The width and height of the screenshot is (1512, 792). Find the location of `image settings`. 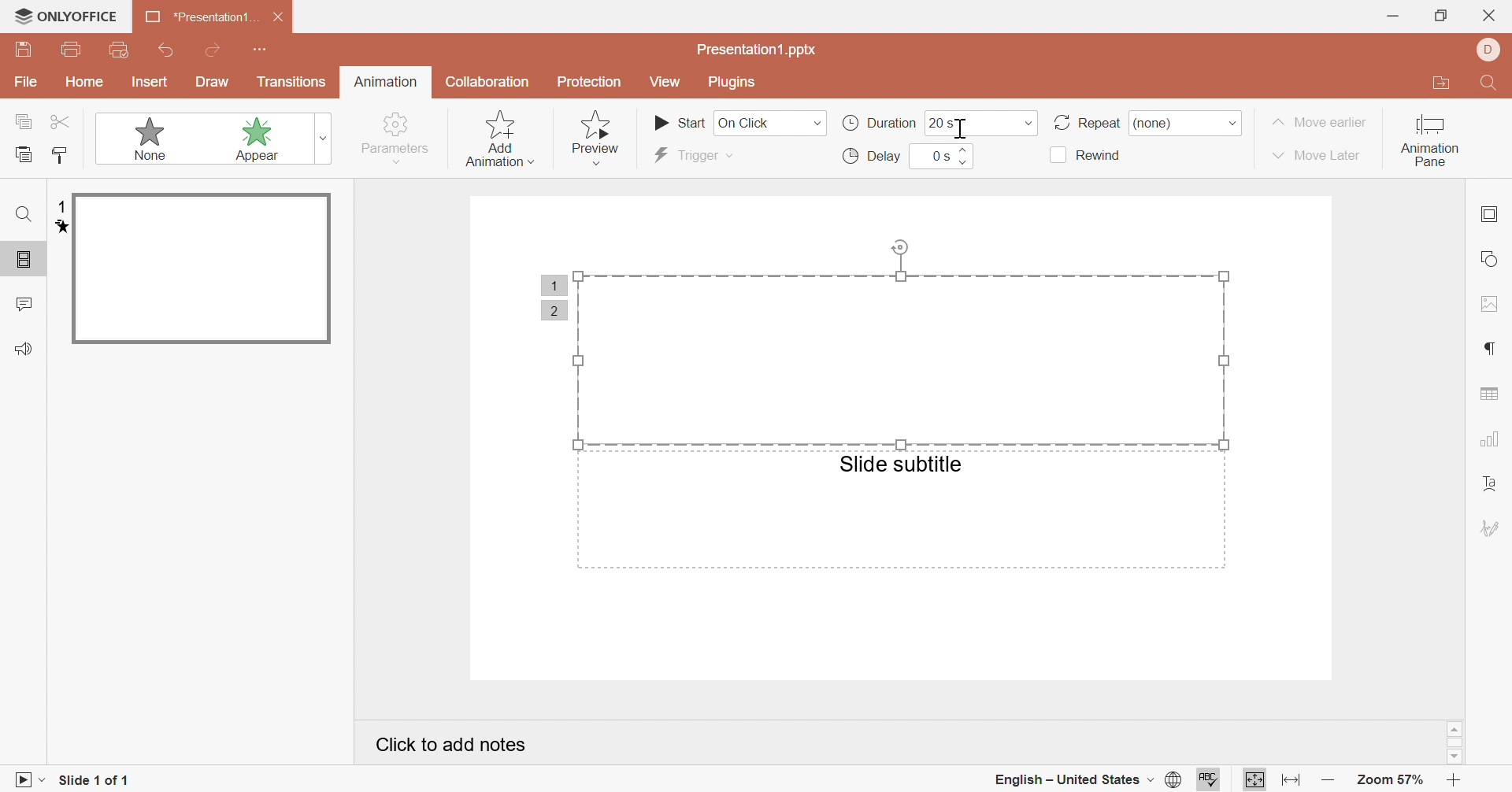

image settings is located at coordinates (1492, 305).